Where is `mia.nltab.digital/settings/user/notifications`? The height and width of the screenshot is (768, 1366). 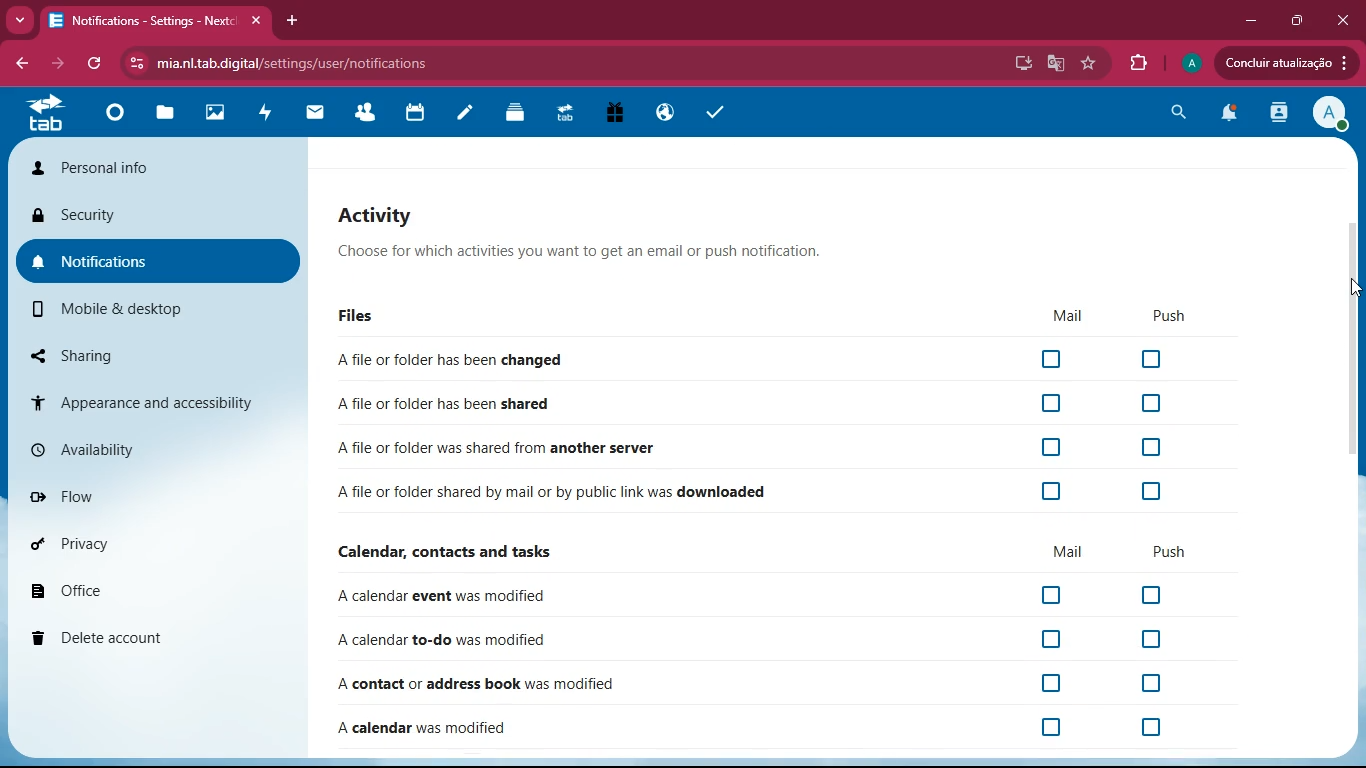 mia.nltab.digital/settings/user/notifications is located at coordinates (300, 62).